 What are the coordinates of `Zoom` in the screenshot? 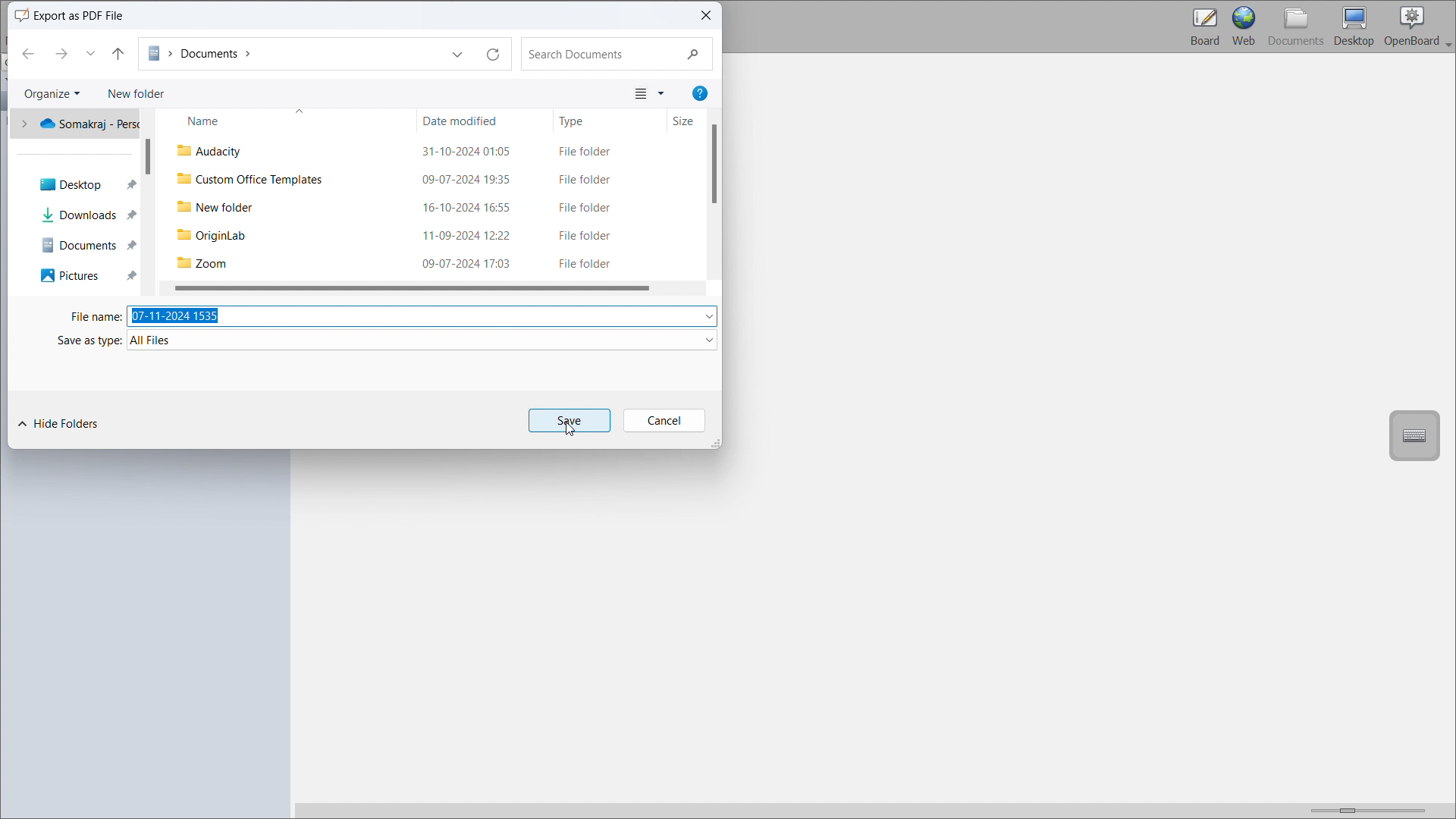 It's located at (212, 263).